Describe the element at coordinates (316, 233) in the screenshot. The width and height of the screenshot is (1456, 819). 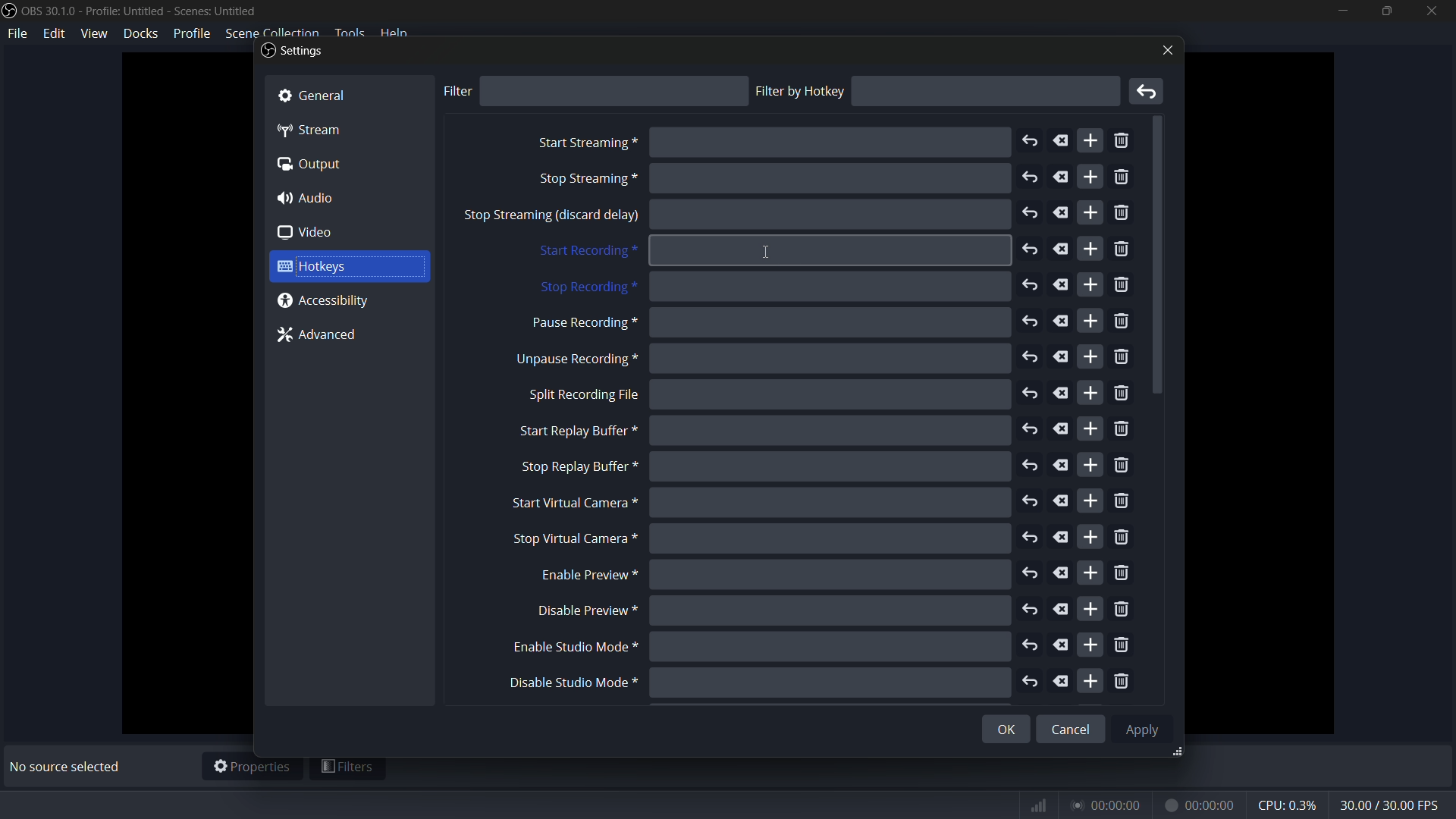
I see `0 video` at that location.